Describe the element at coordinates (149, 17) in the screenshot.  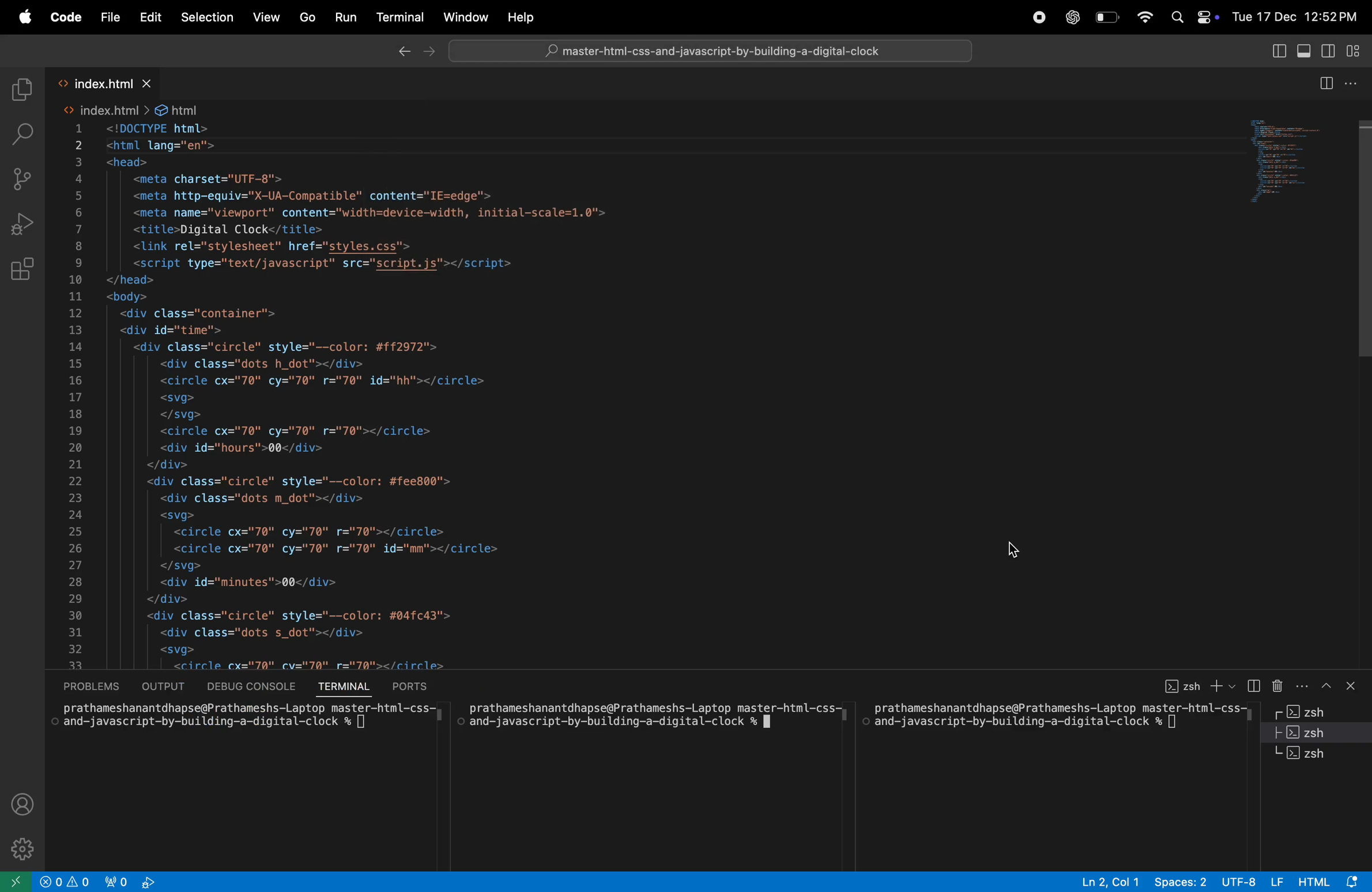
I see `Edit` at that location.